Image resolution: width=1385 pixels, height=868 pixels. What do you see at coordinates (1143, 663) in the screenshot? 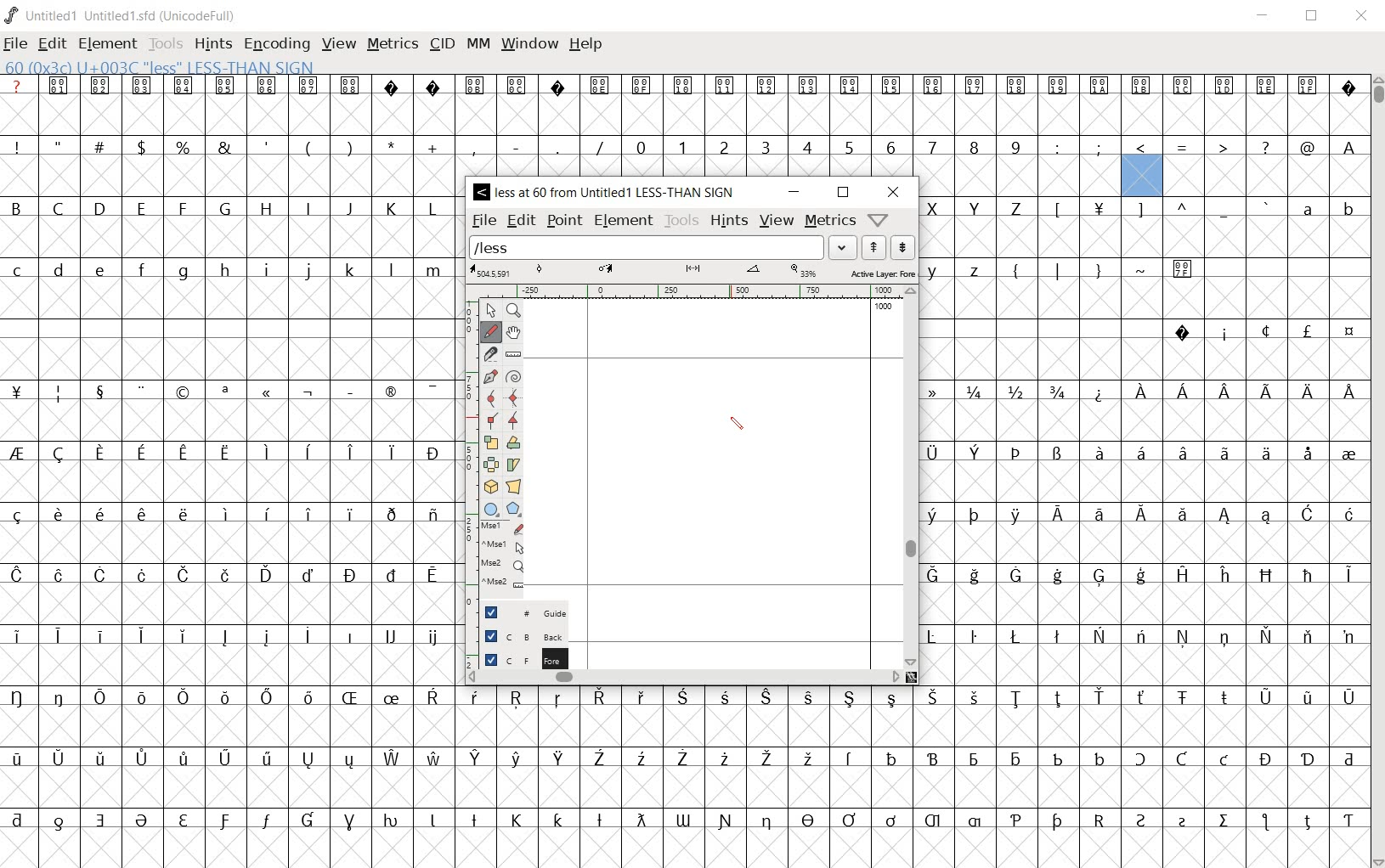
I see `empty cells` at bounding box center [1143, 663].